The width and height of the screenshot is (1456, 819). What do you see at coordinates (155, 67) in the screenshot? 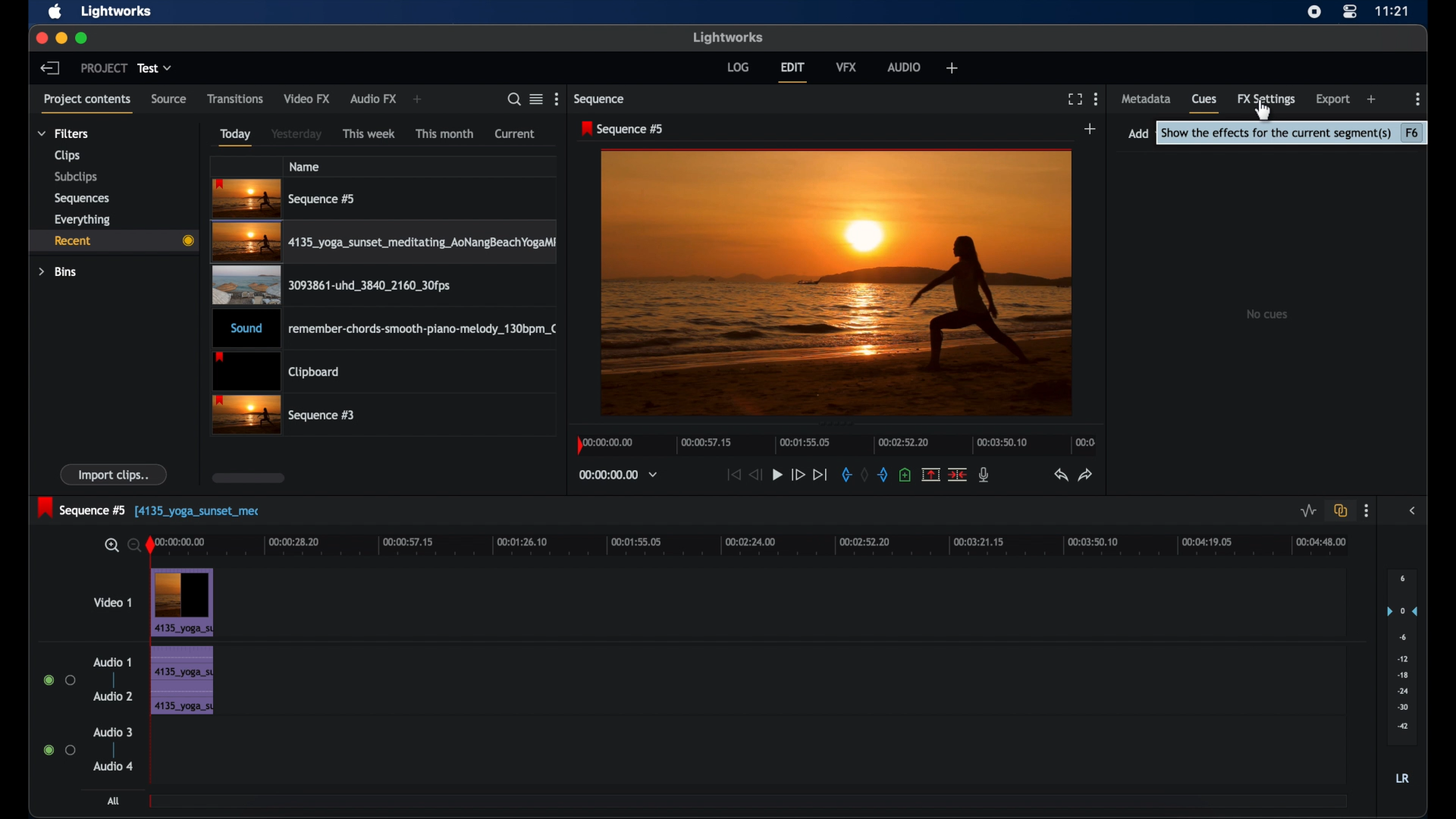
I see `test dropdown` at bounding box center [155, 67].